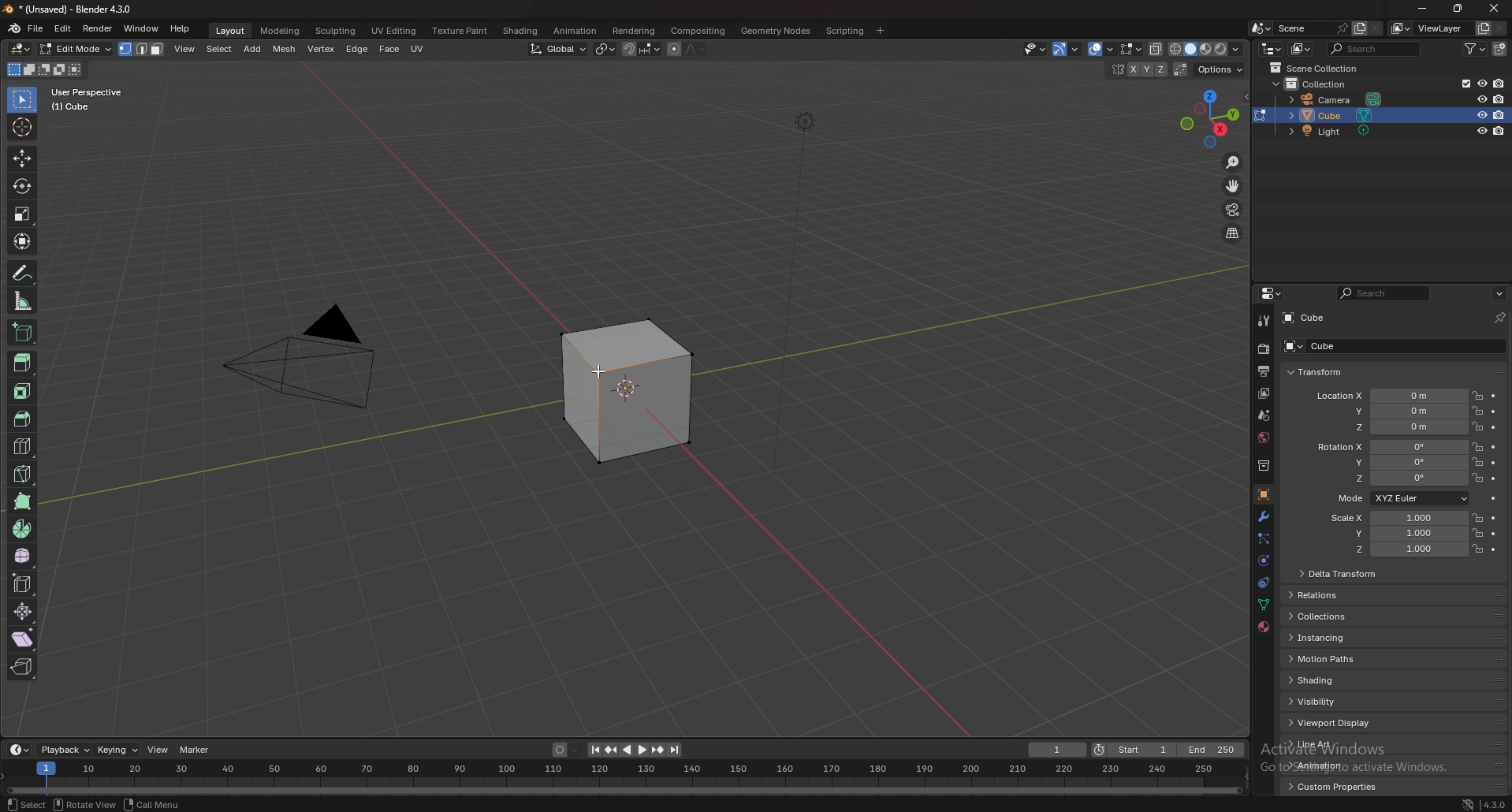  What do you see at coordinates (64, 750) in the screenshot?
I see `playback` at bounding box center [64, 750].